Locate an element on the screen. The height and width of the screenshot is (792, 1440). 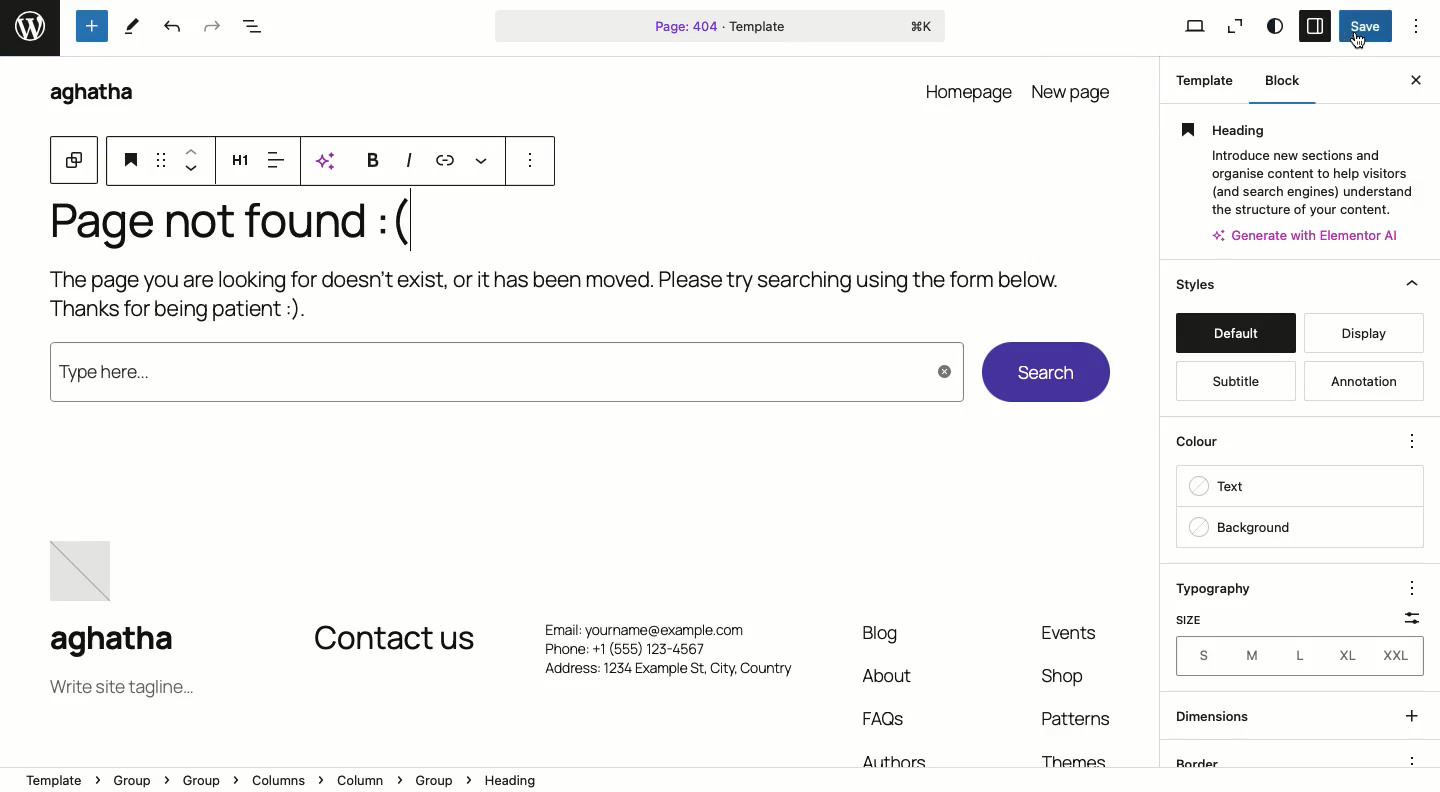
Sizes is located at coordinates (1202, 656).